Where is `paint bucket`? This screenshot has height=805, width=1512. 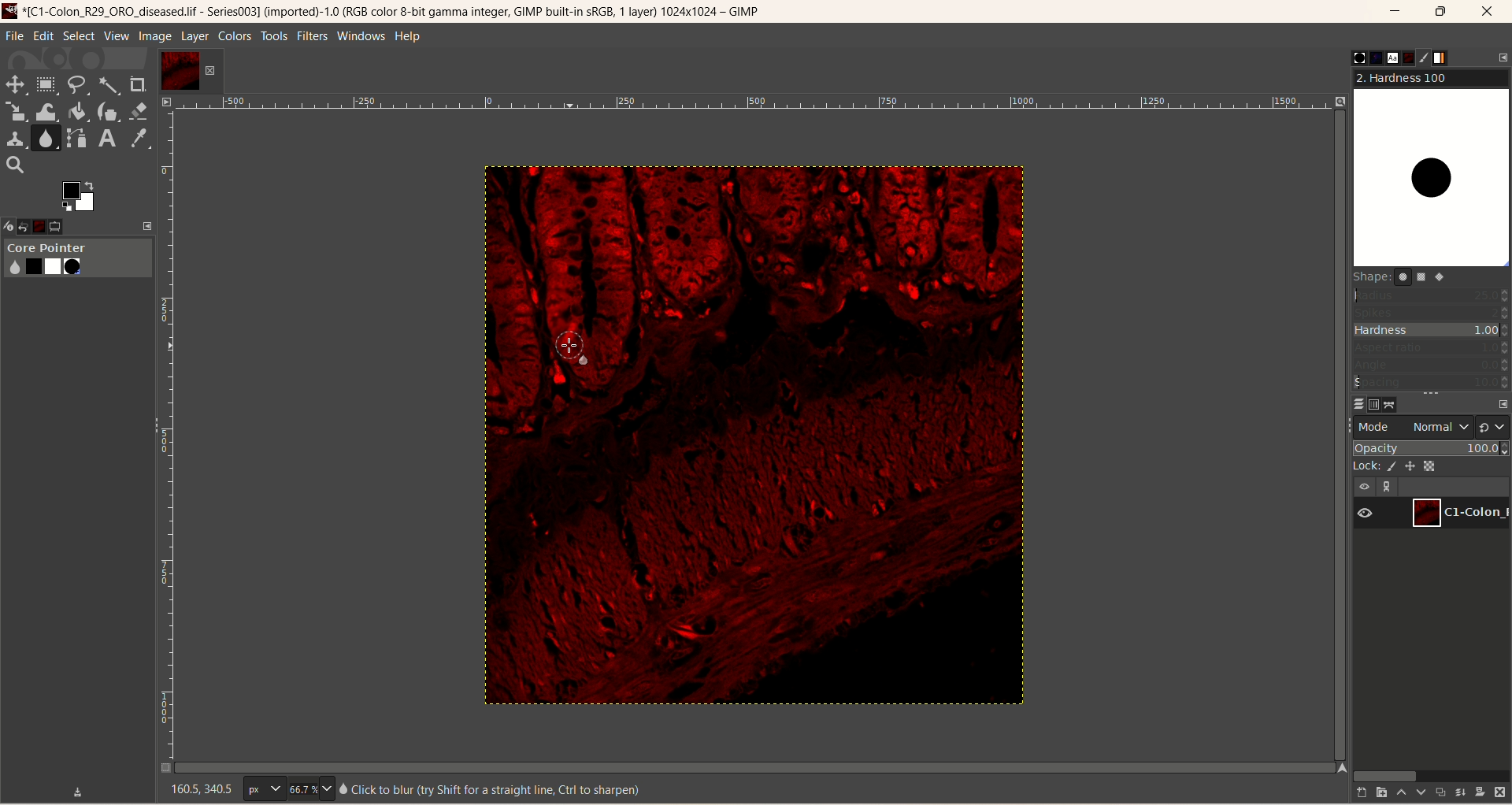 paint bucket is located at coordinates (79, 110).